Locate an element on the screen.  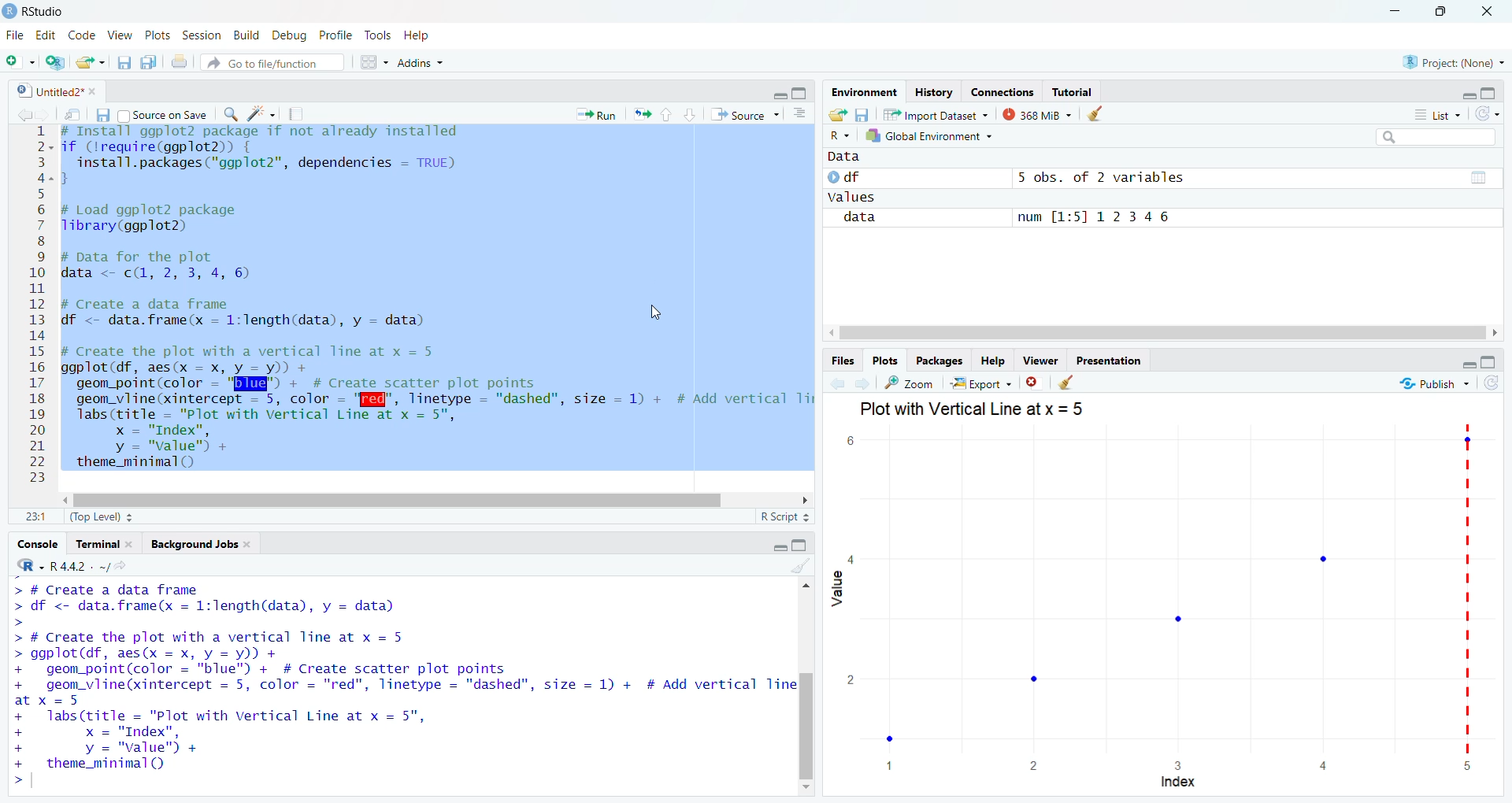
Presentation is located at coordinates (1114, 360).